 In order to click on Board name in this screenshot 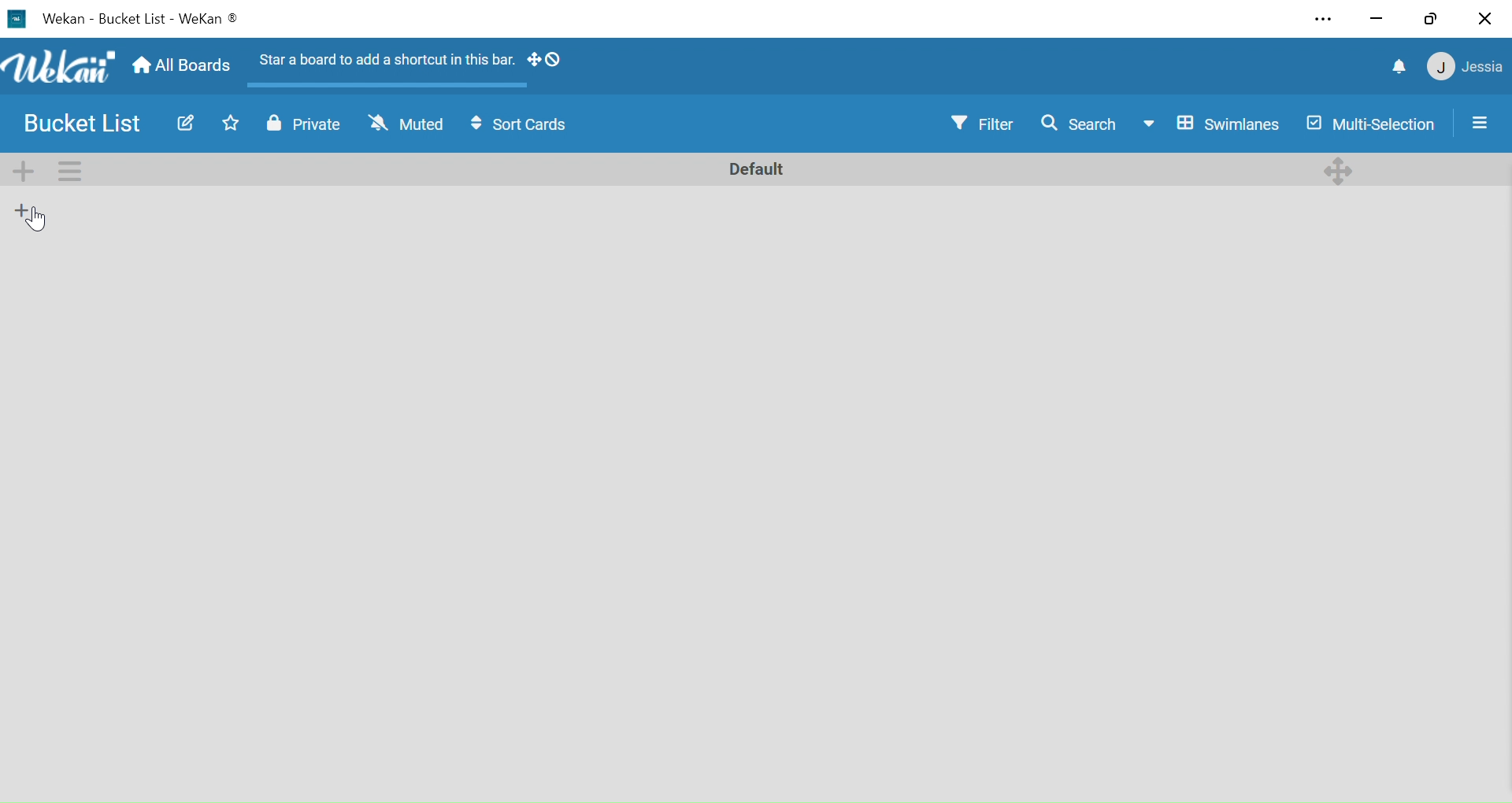, I will do `click(87, 124)`.